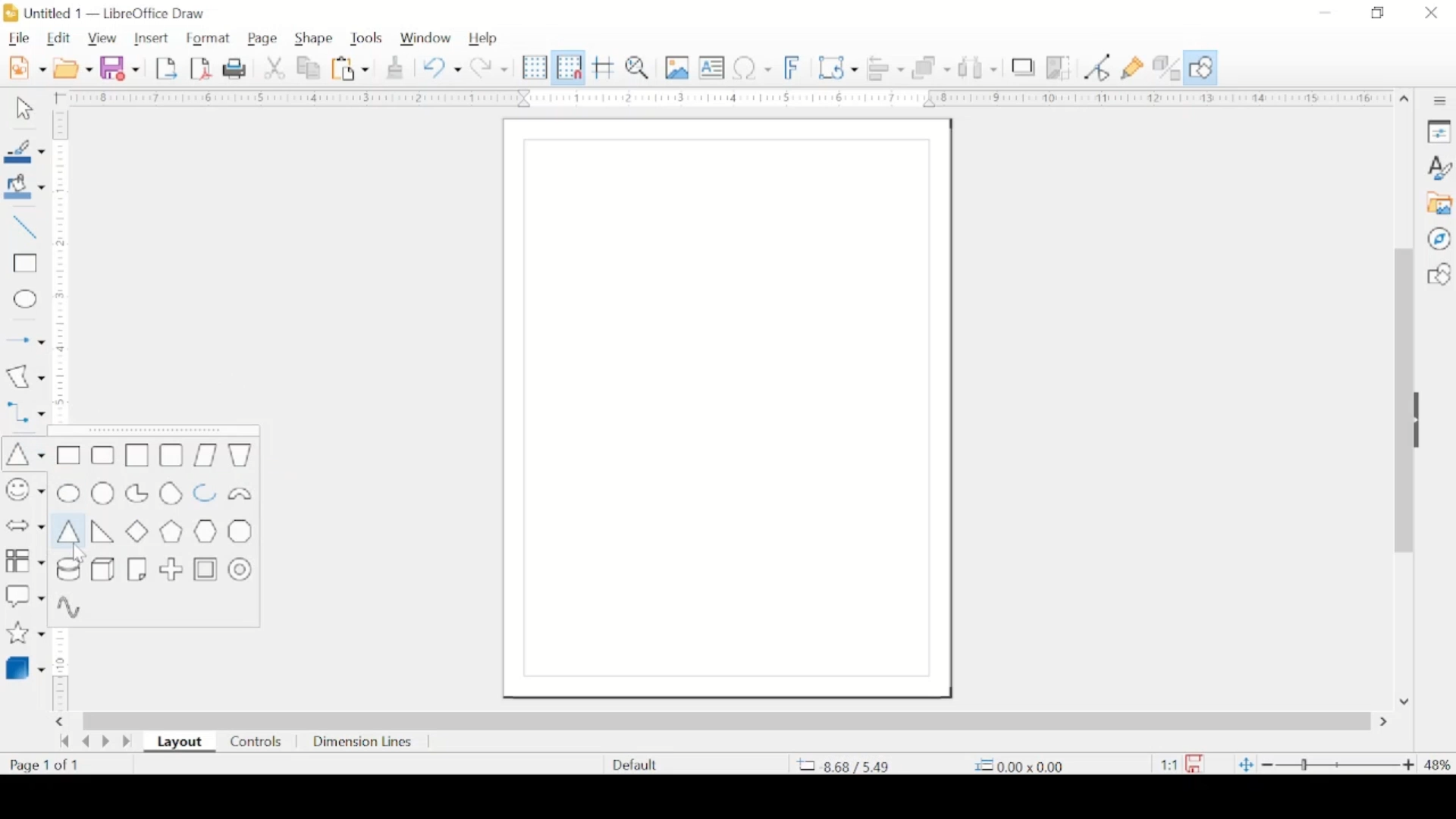 This screenshot has height=819, width=1456. What do you see at coordinates (1323, 13) in the screenshot?
I see `minimize` at bounding box center [1323, 13].